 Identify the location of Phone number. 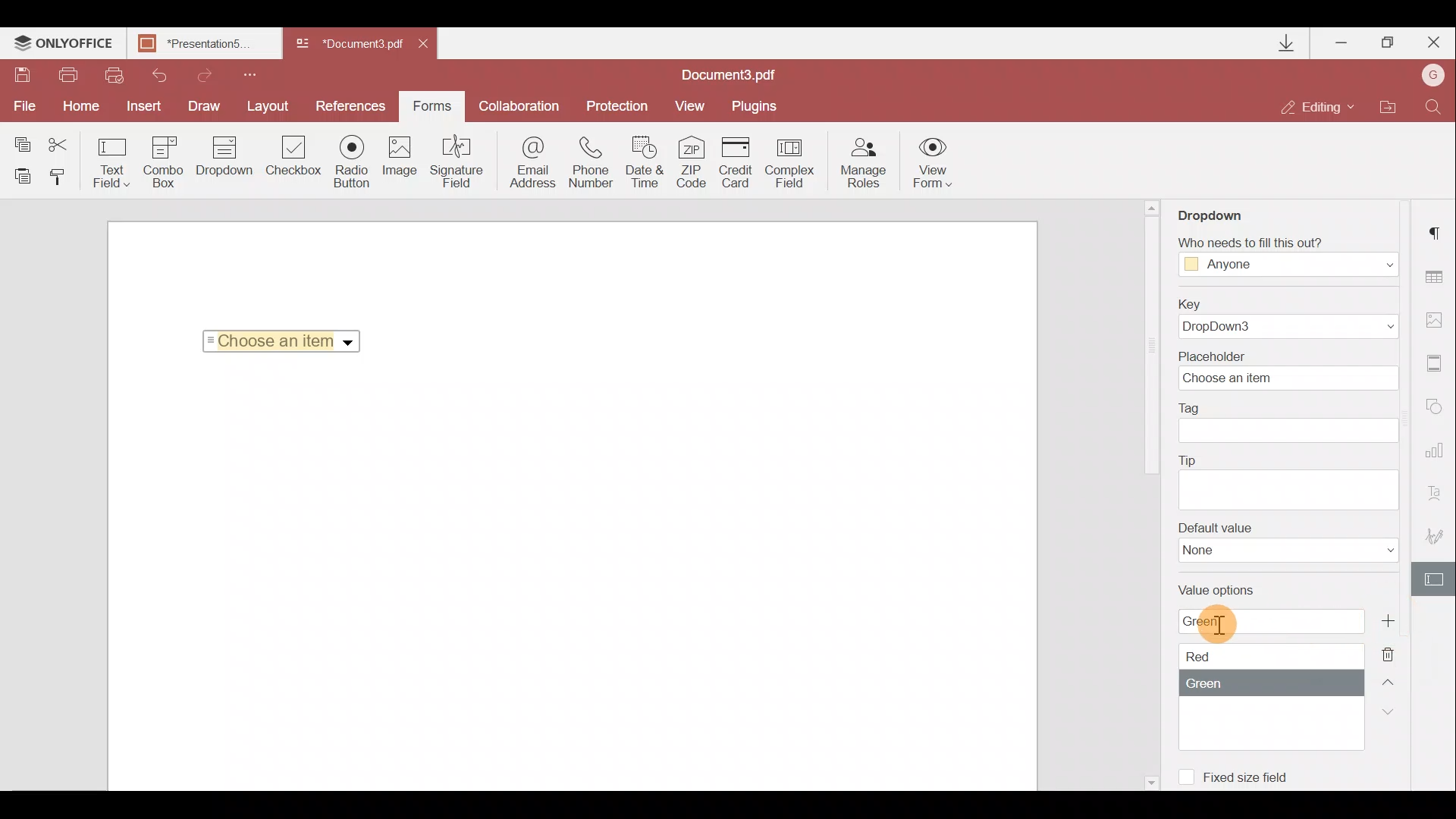
(593, 162).